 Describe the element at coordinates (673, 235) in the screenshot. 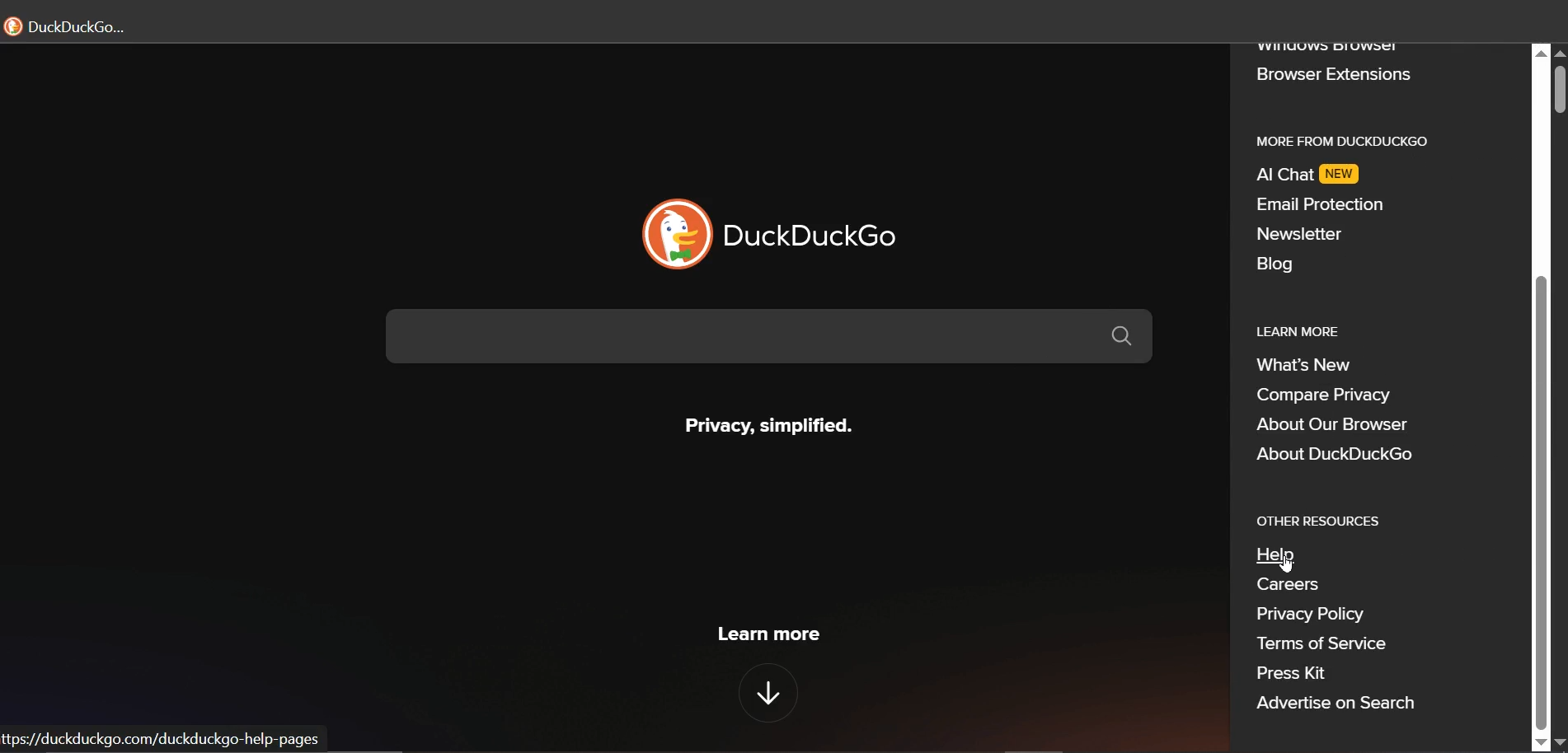

I see `logo` at that location.